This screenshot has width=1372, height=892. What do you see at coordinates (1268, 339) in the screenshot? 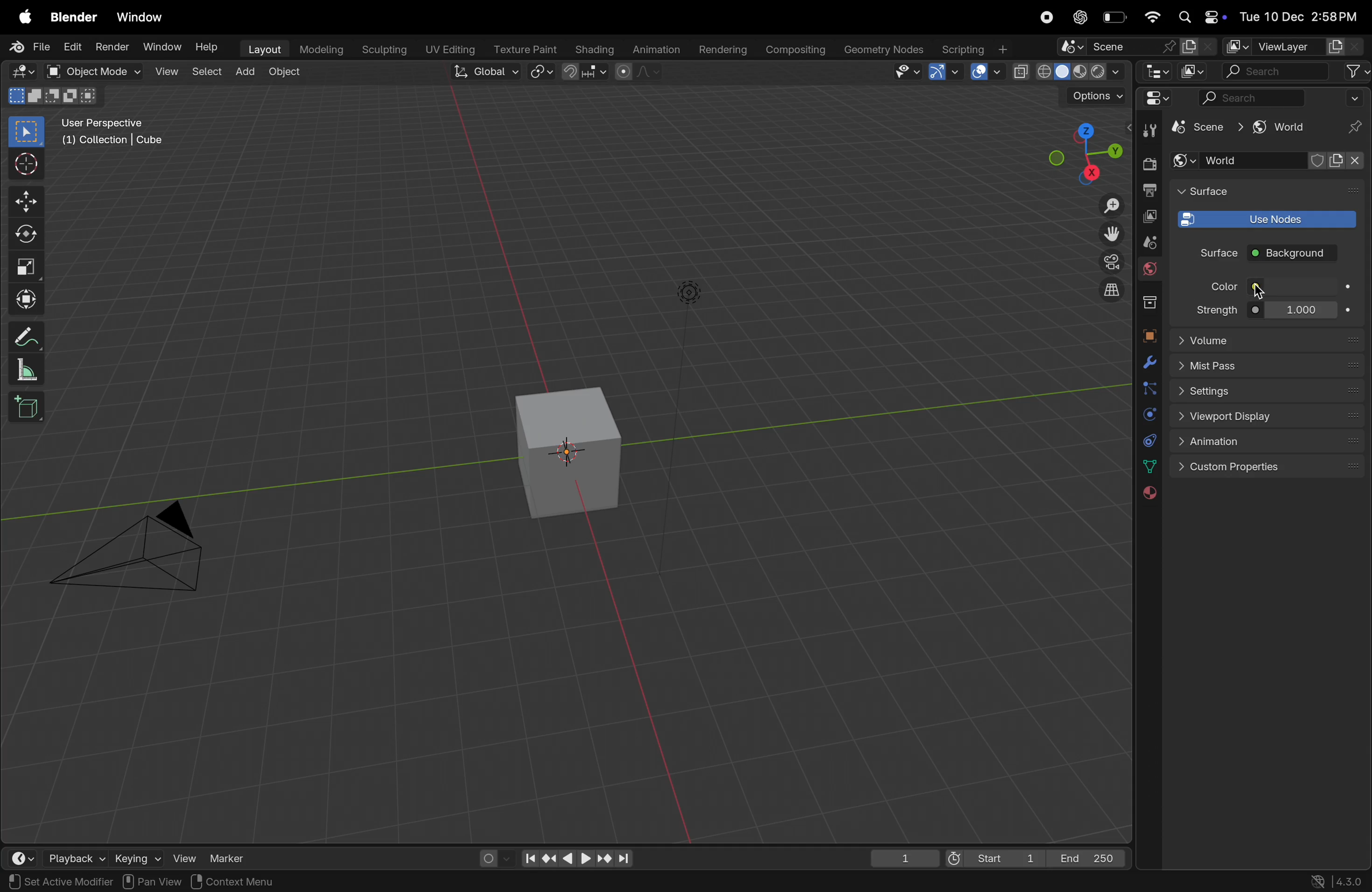
I see `Volume` at bounding box center [1268, 339].